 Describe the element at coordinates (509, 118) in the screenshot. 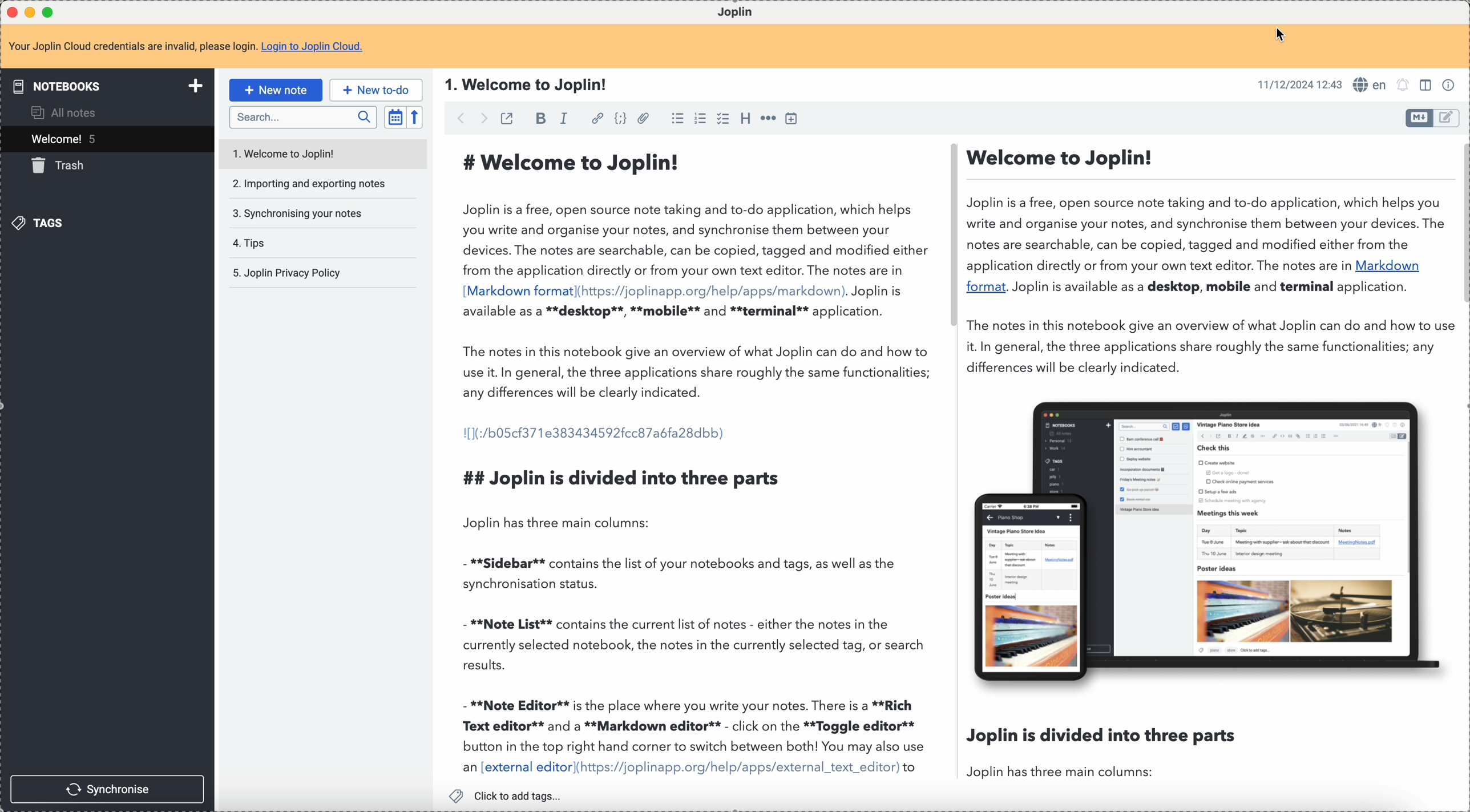

I see `toggle external editing` at that location.